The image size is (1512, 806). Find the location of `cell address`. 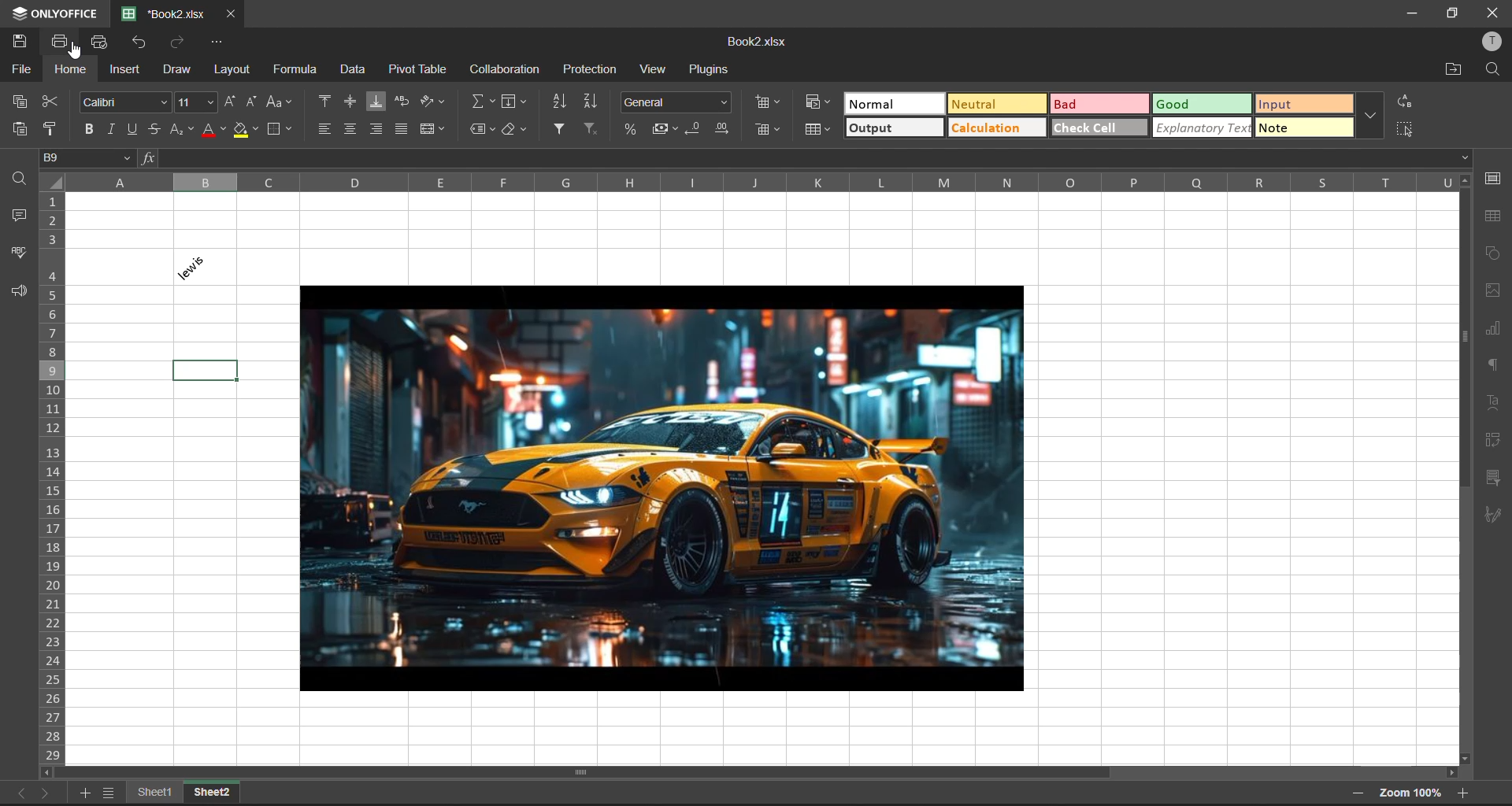

cell address is located at coordinates (90, 160).